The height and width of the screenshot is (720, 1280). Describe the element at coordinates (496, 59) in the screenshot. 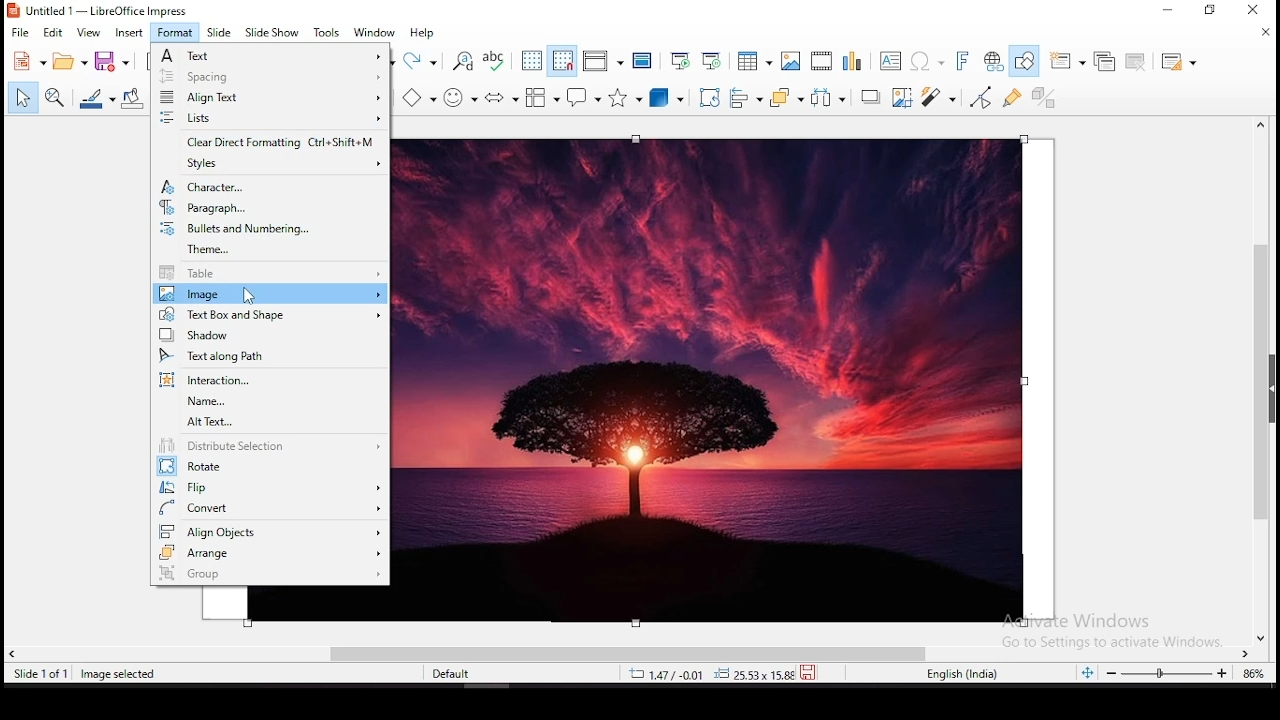

I see `spell check` at that location.